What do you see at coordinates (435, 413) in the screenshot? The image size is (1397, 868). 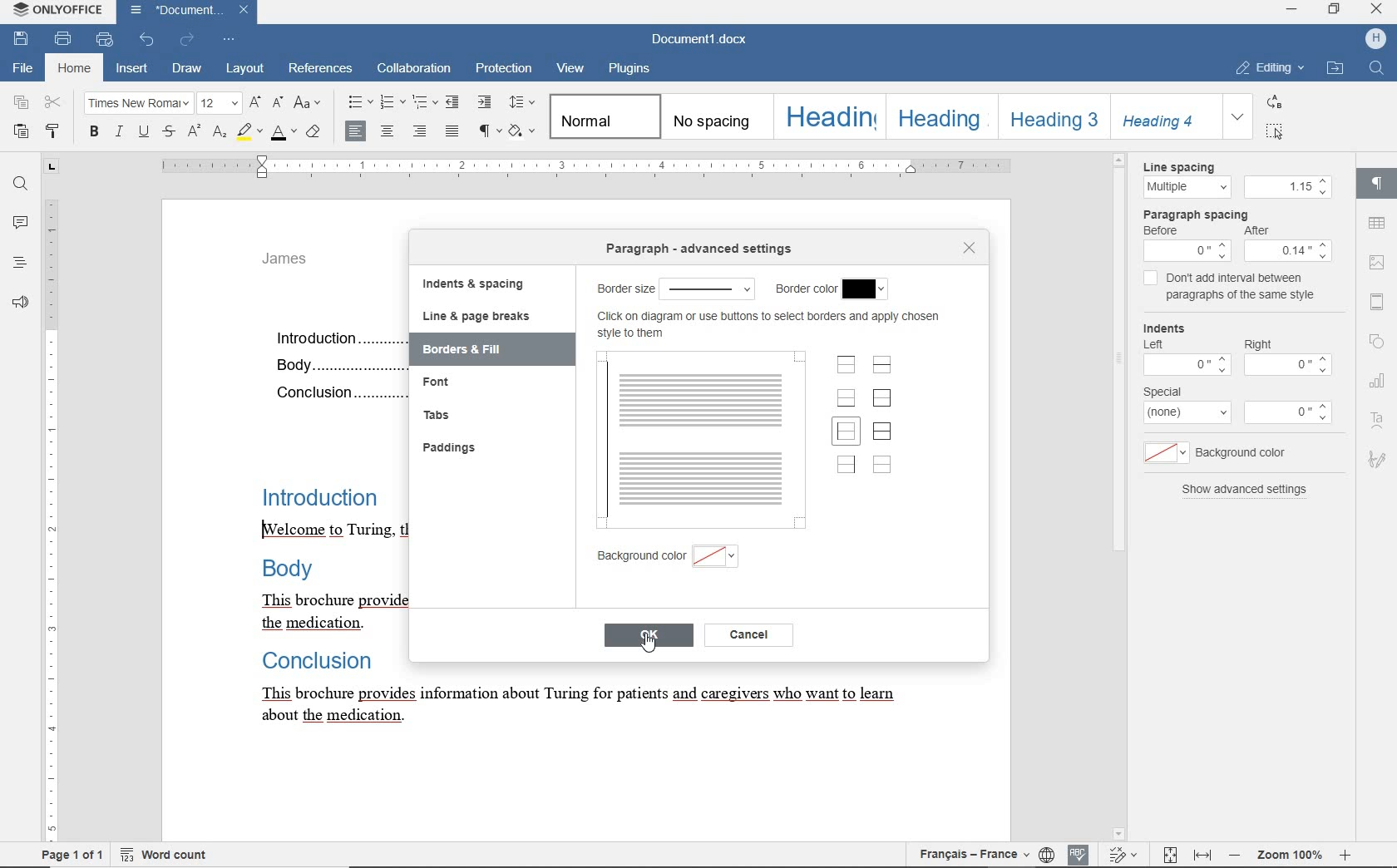 I see `tabs` at bounding box center [435, 413].